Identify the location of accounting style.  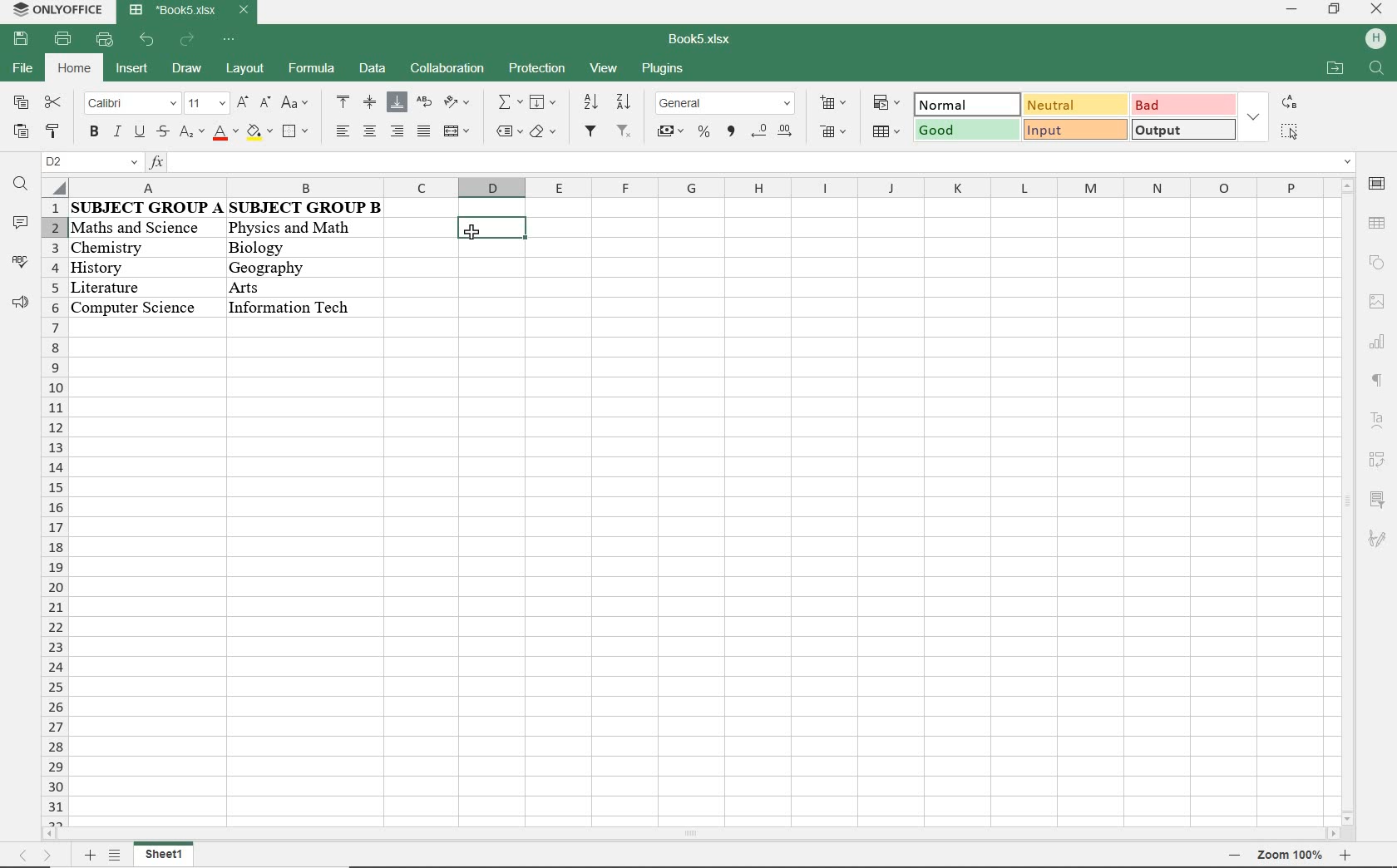
(670, 133).